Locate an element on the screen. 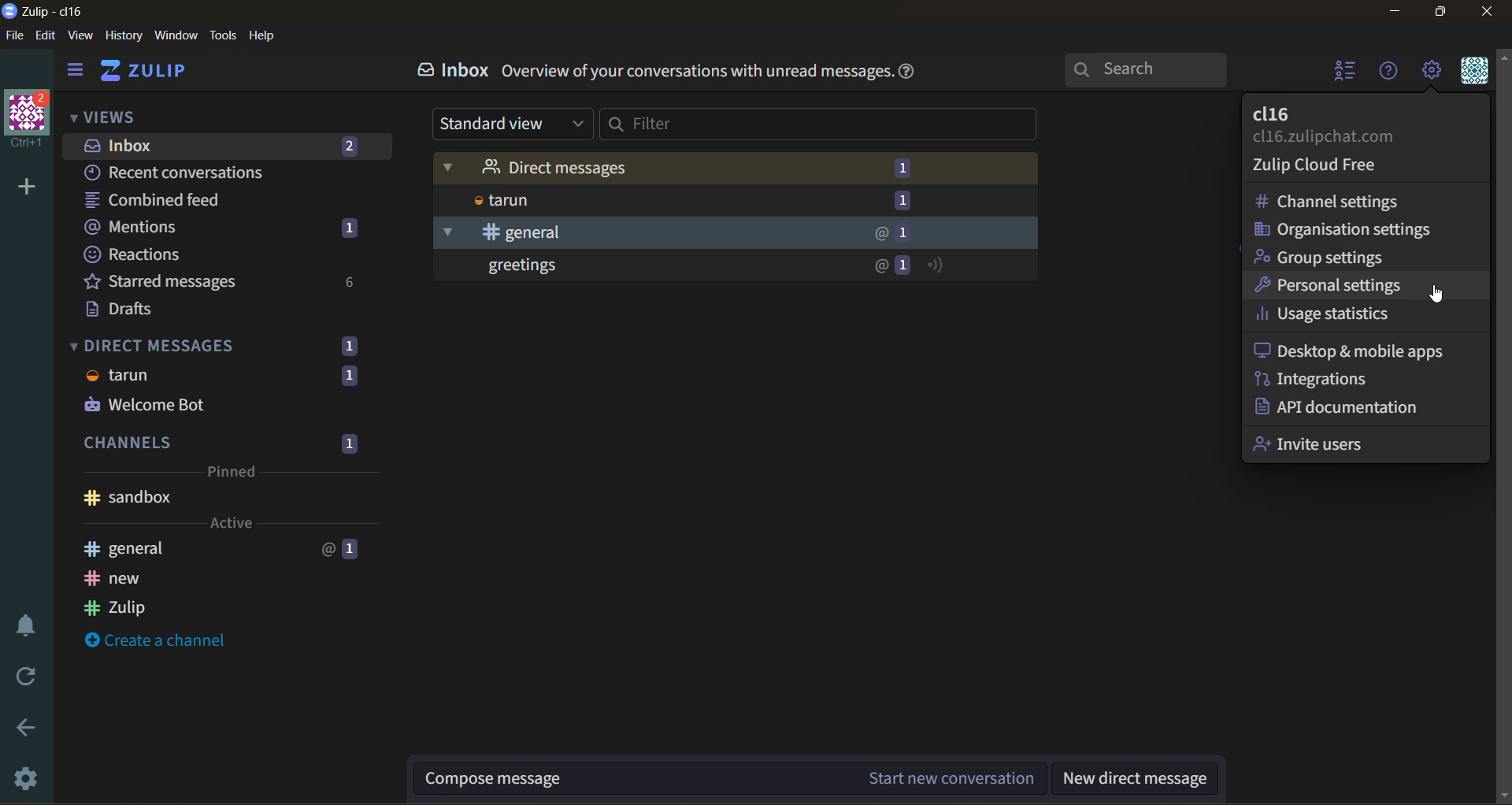 The width and height of the screenshot is (1512, 805). file is located at coordinates (15, 36).